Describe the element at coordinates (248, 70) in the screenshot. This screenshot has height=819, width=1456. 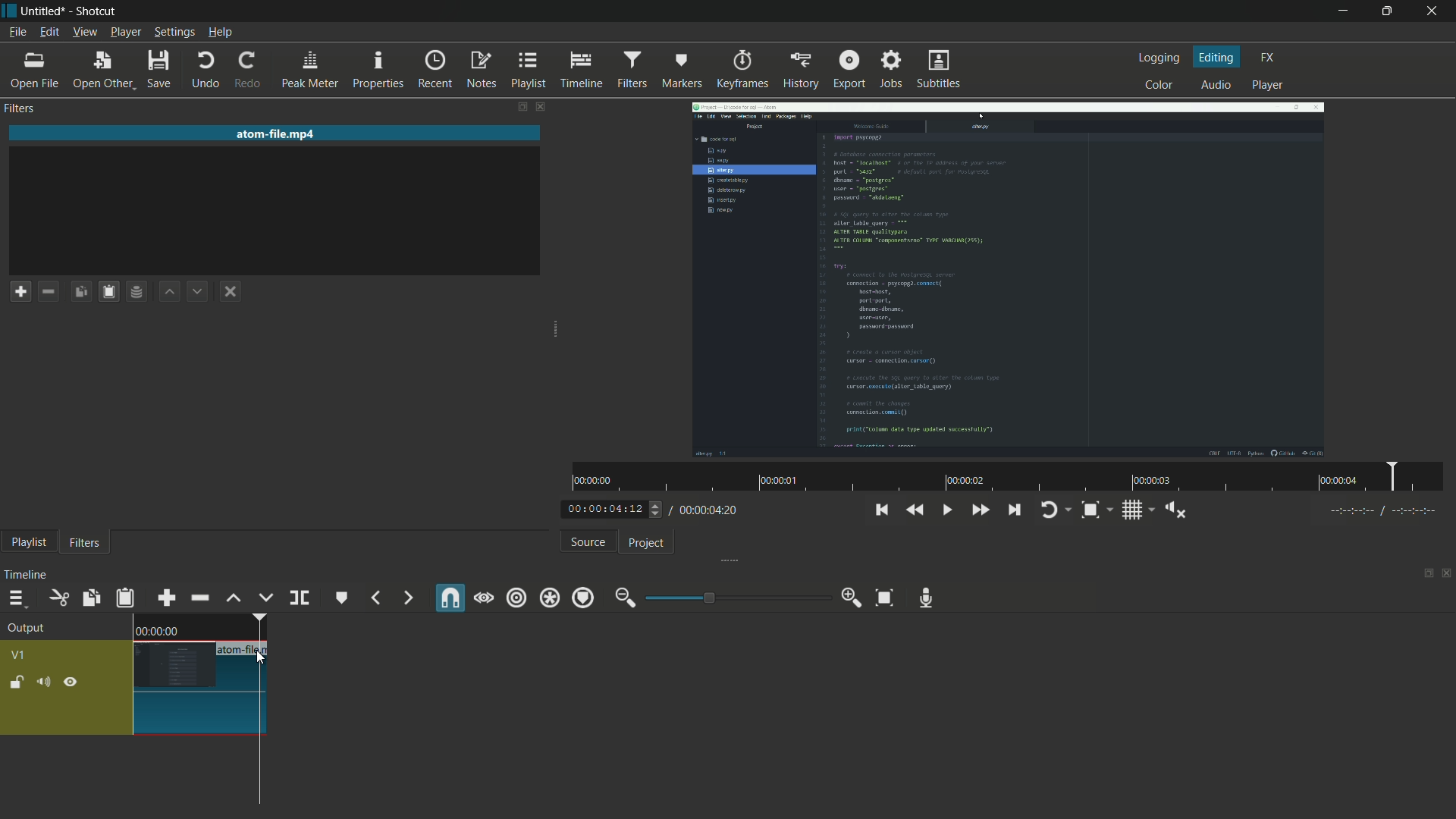
I see `redo` at that location.